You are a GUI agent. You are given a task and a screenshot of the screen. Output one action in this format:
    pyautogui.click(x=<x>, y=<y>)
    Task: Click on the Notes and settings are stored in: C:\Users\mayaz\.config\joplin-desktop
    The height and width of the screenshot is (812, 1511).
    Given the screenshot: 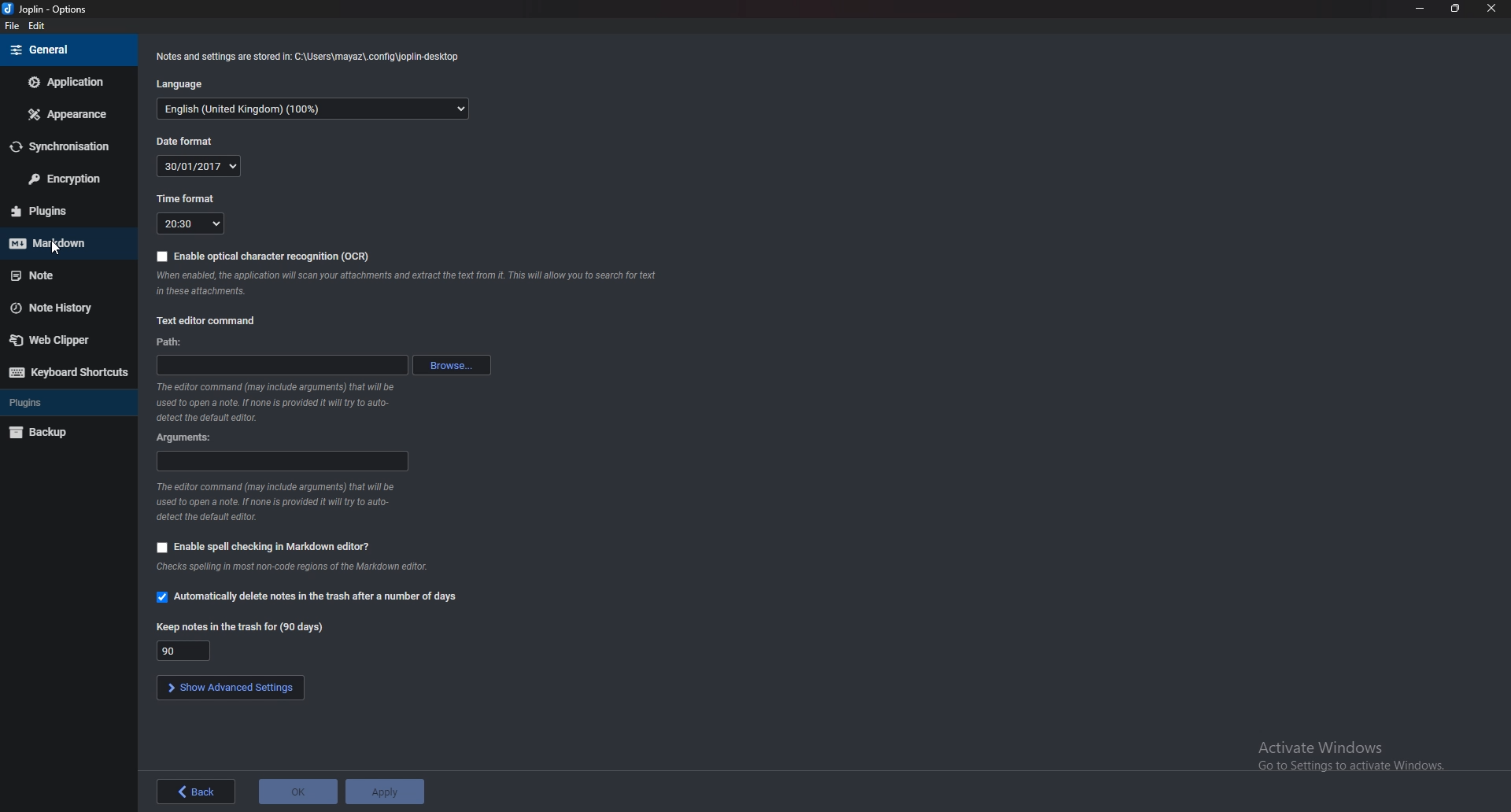 What is the action you would take?
    pyautogui.click(x=310, y=55)
    